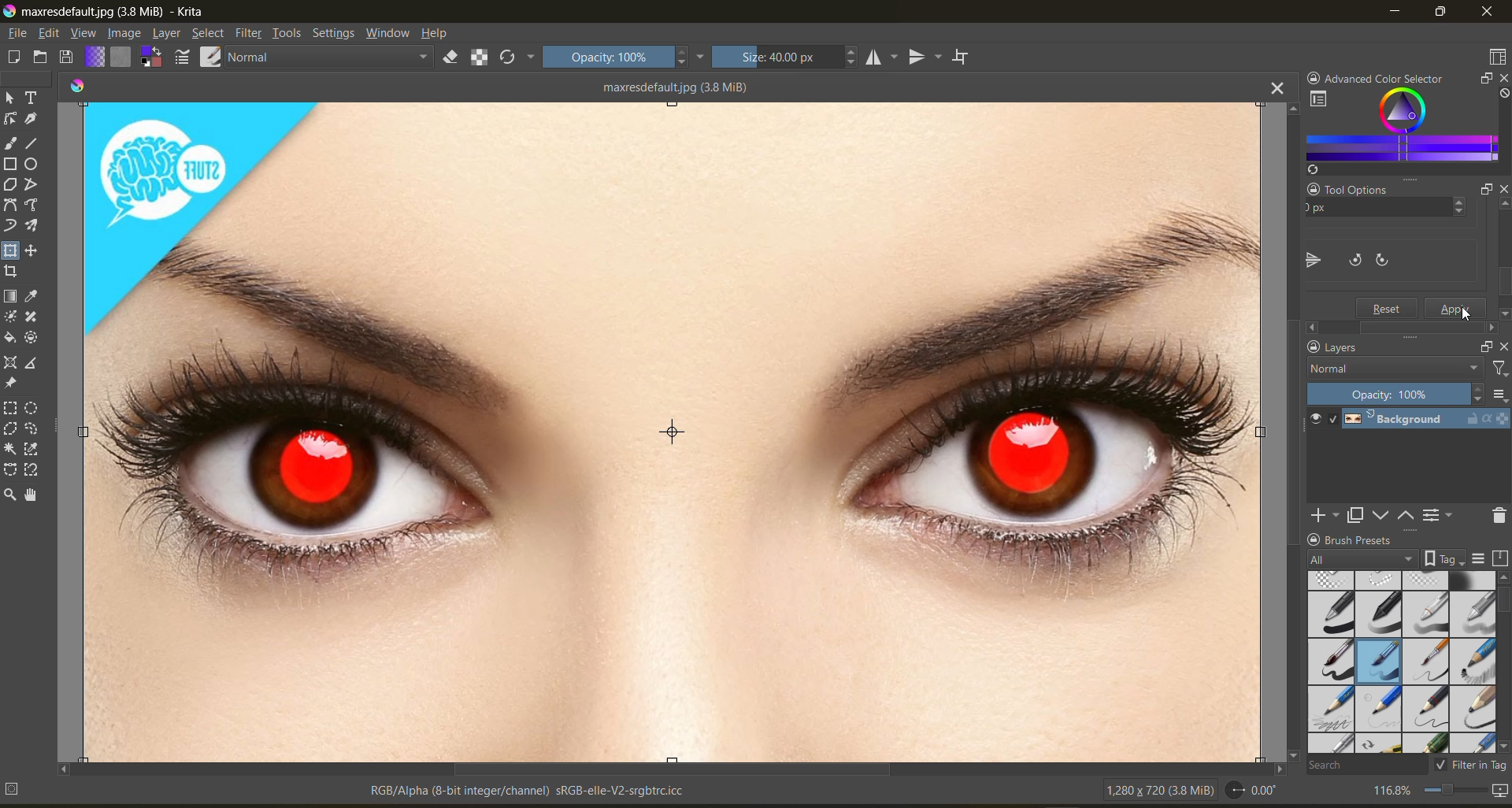 This screenshot has height=808, width=1512. Describe the element at coordinates (41, 58) in the screenshot. I see `open` at that location.